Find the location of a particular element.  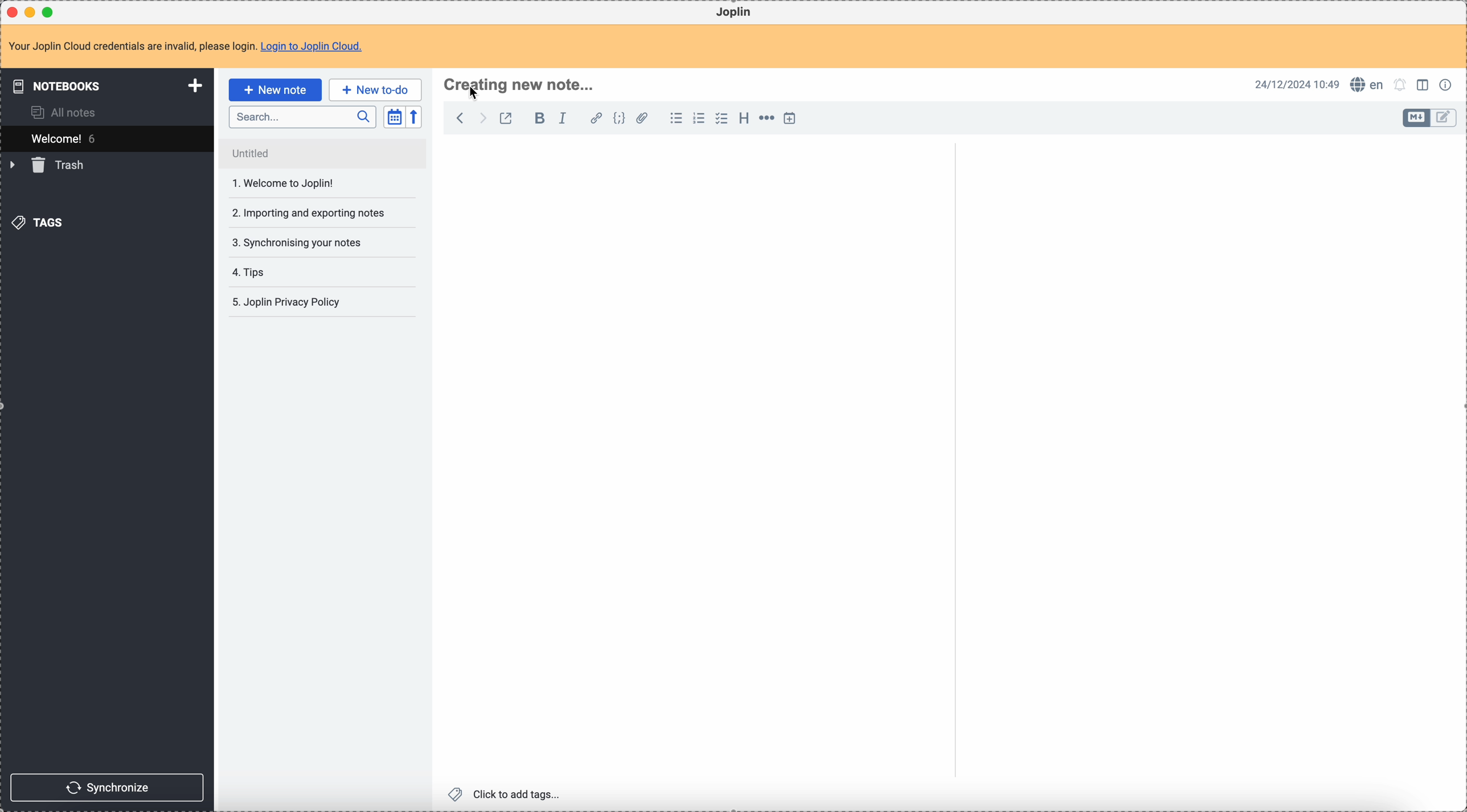

tags is located at coordinates (37, 223).